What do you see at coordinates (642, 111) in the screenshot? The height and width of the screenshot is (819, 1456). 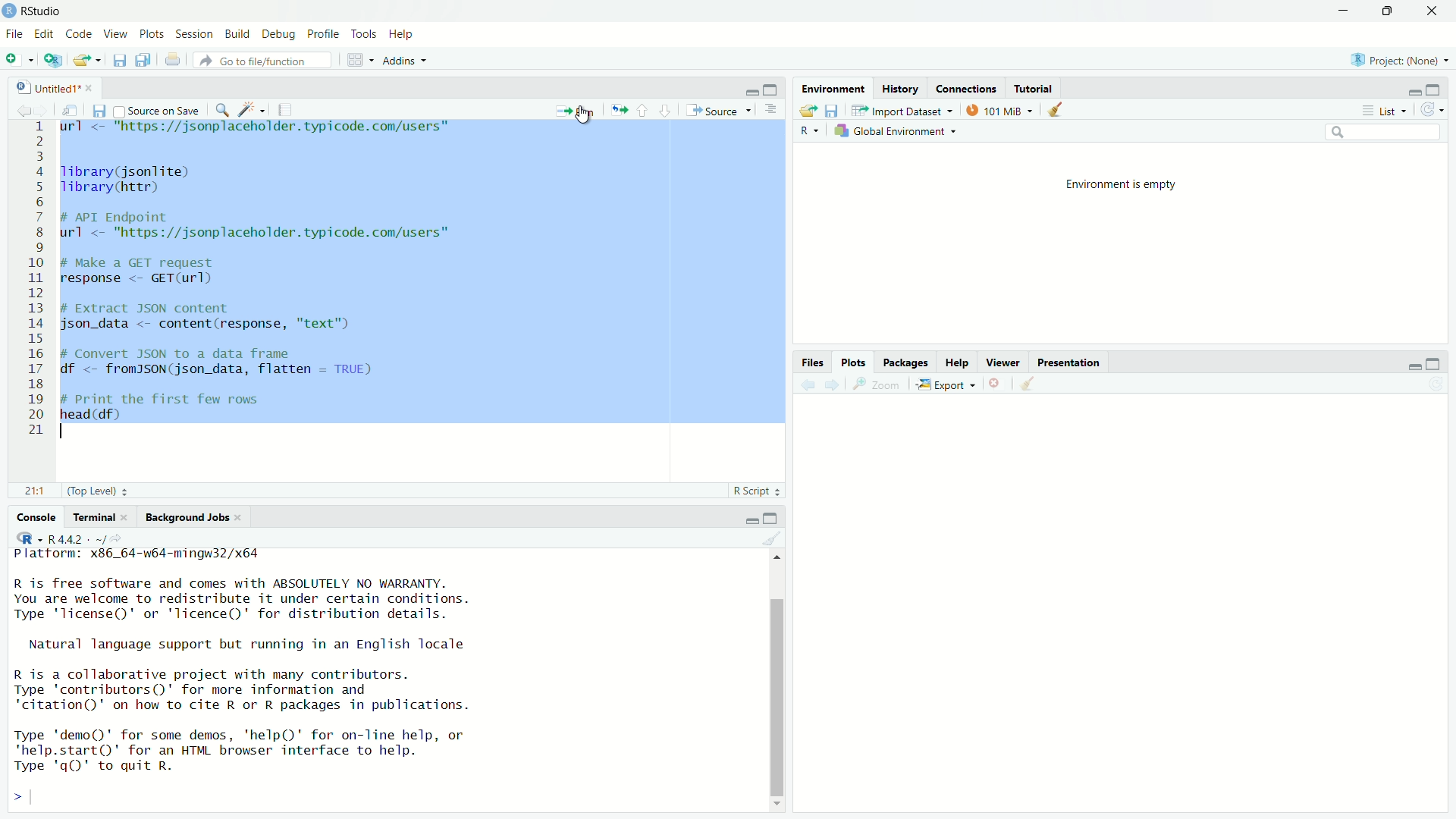 I see `Go to previous section` at bounding box center [642, 111].